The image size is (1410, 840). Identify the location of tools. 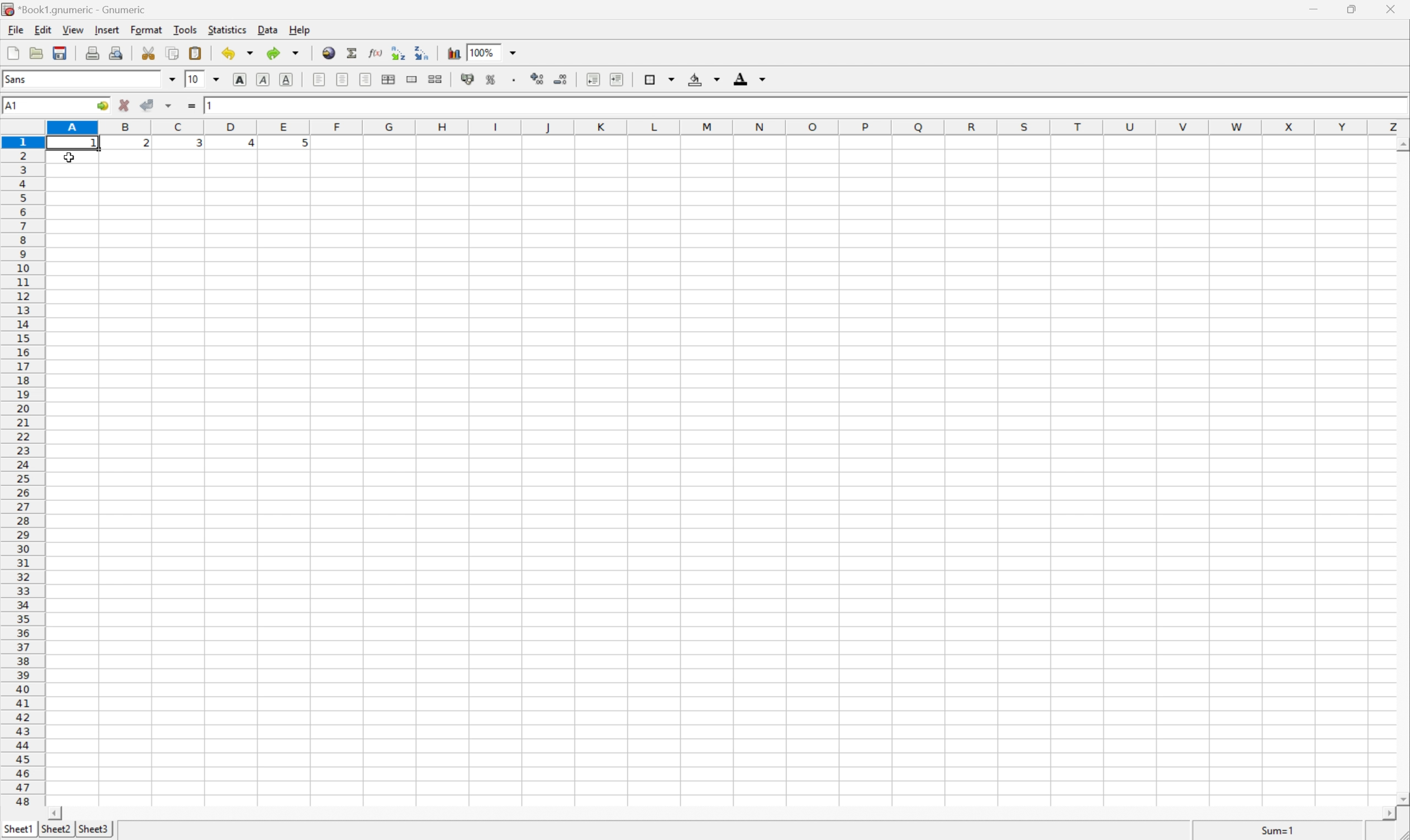
(186, 30).